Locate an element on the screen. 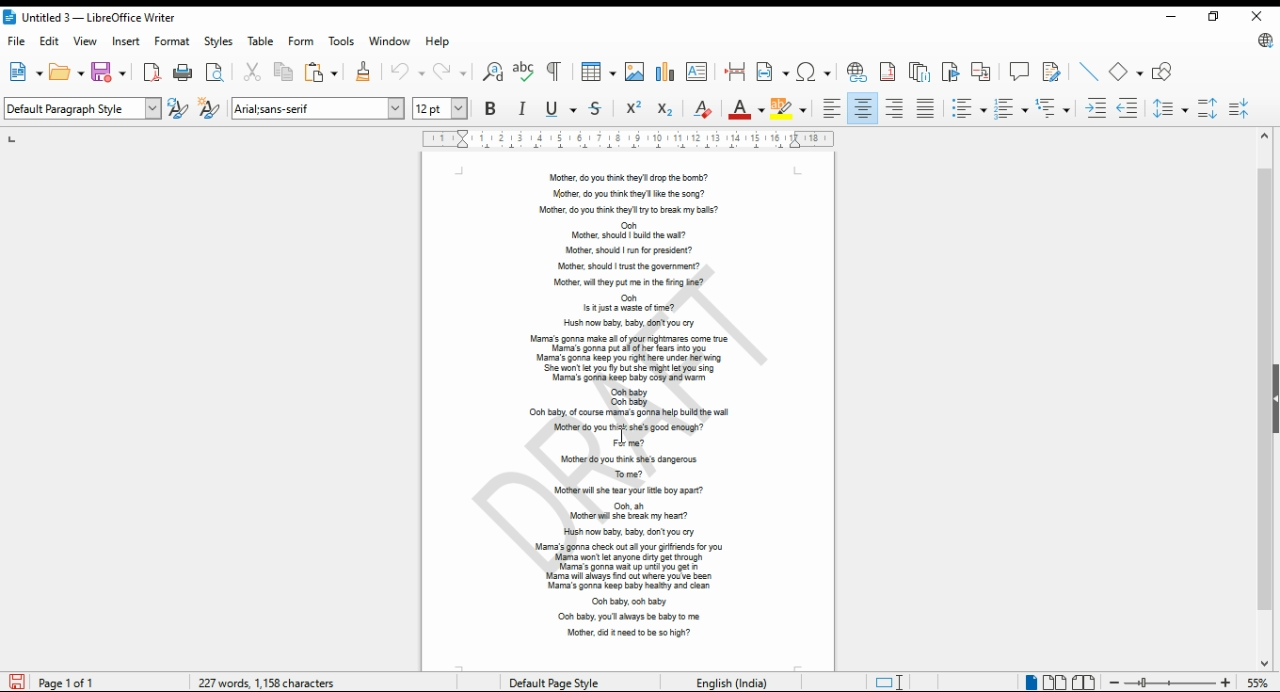 This screenshot has width=1280, height=692. print is located at coordinates (185, 72).